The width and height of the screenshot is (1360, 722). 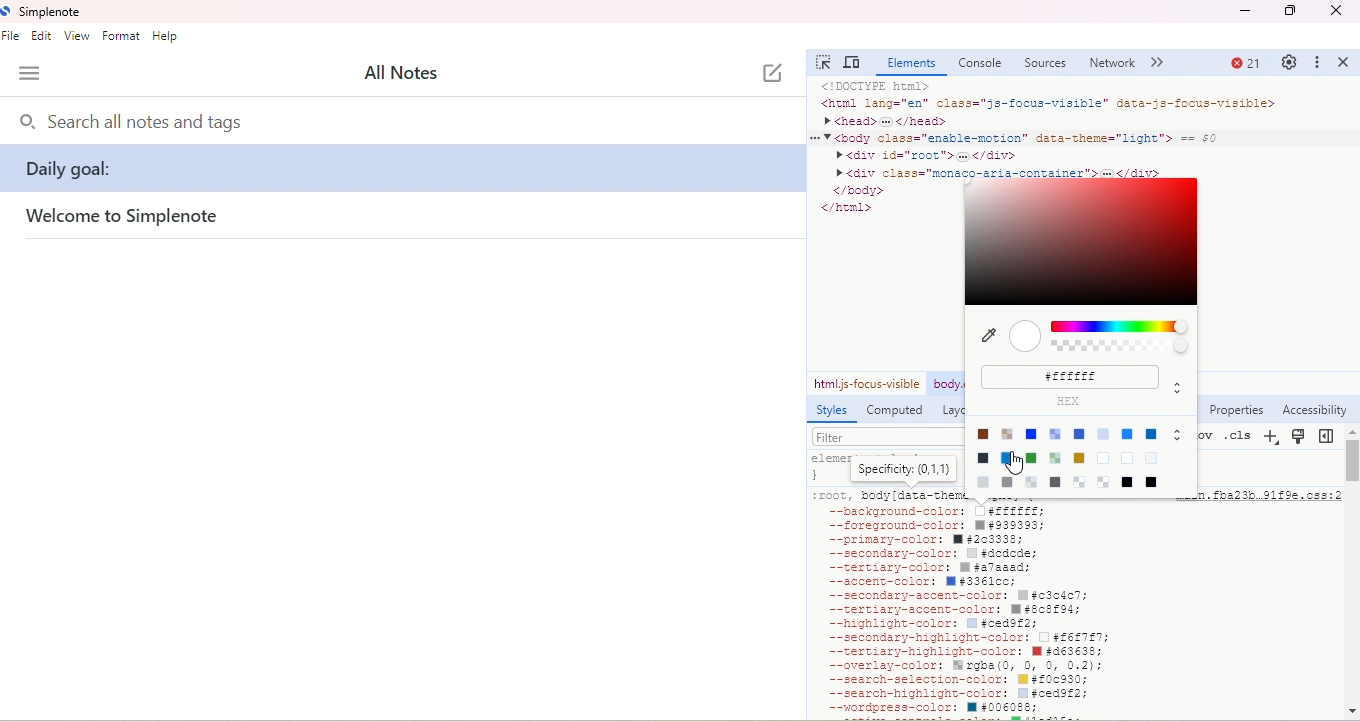 I want to click on simplenote, so click(x=42, y=11).